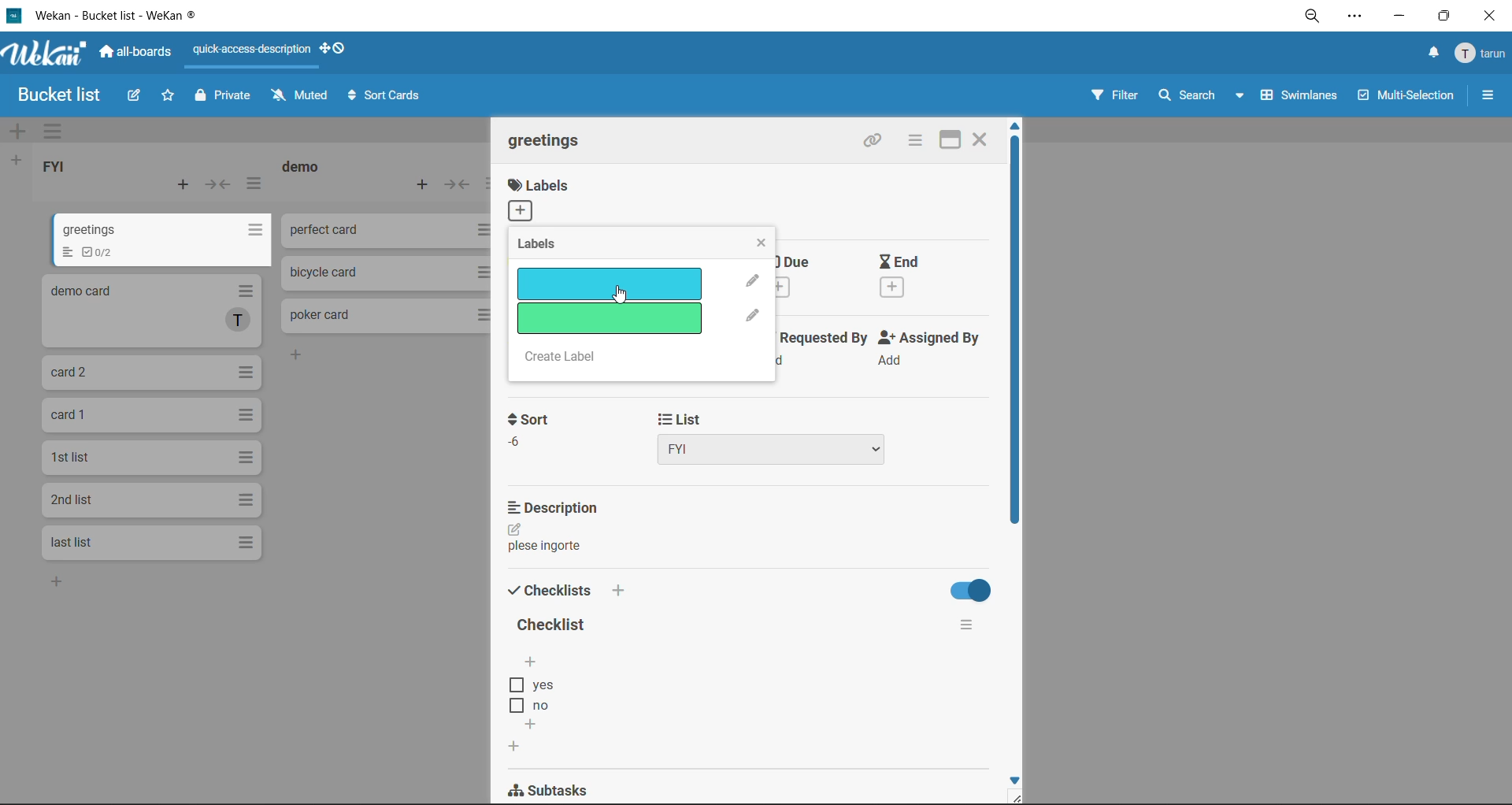 The width and height of the screenshot is (1512, 805). I want to click on filter, so click(1114, 101).